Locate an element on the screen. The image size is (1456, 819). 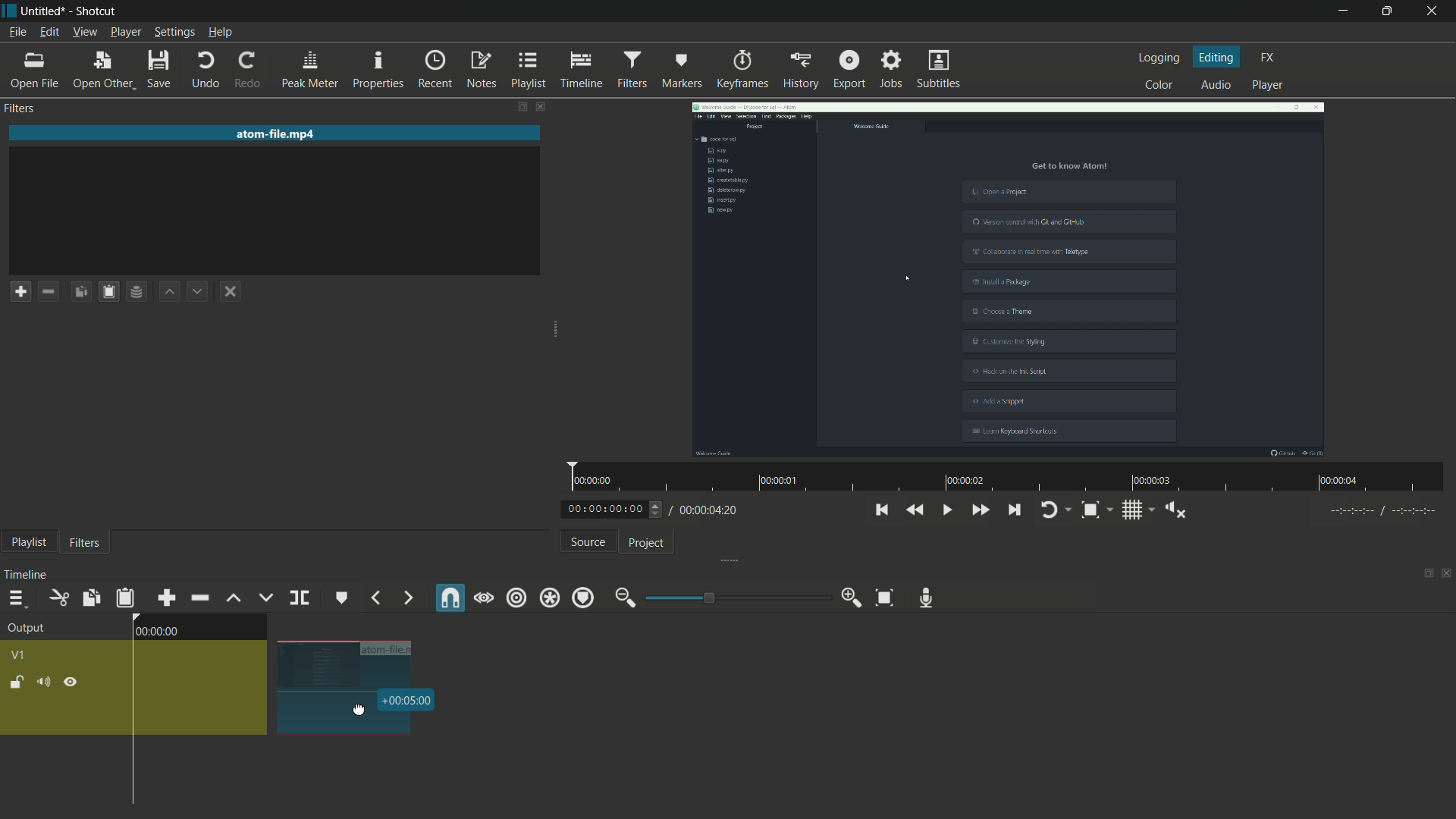
copy is located at coordinates (90, 598).